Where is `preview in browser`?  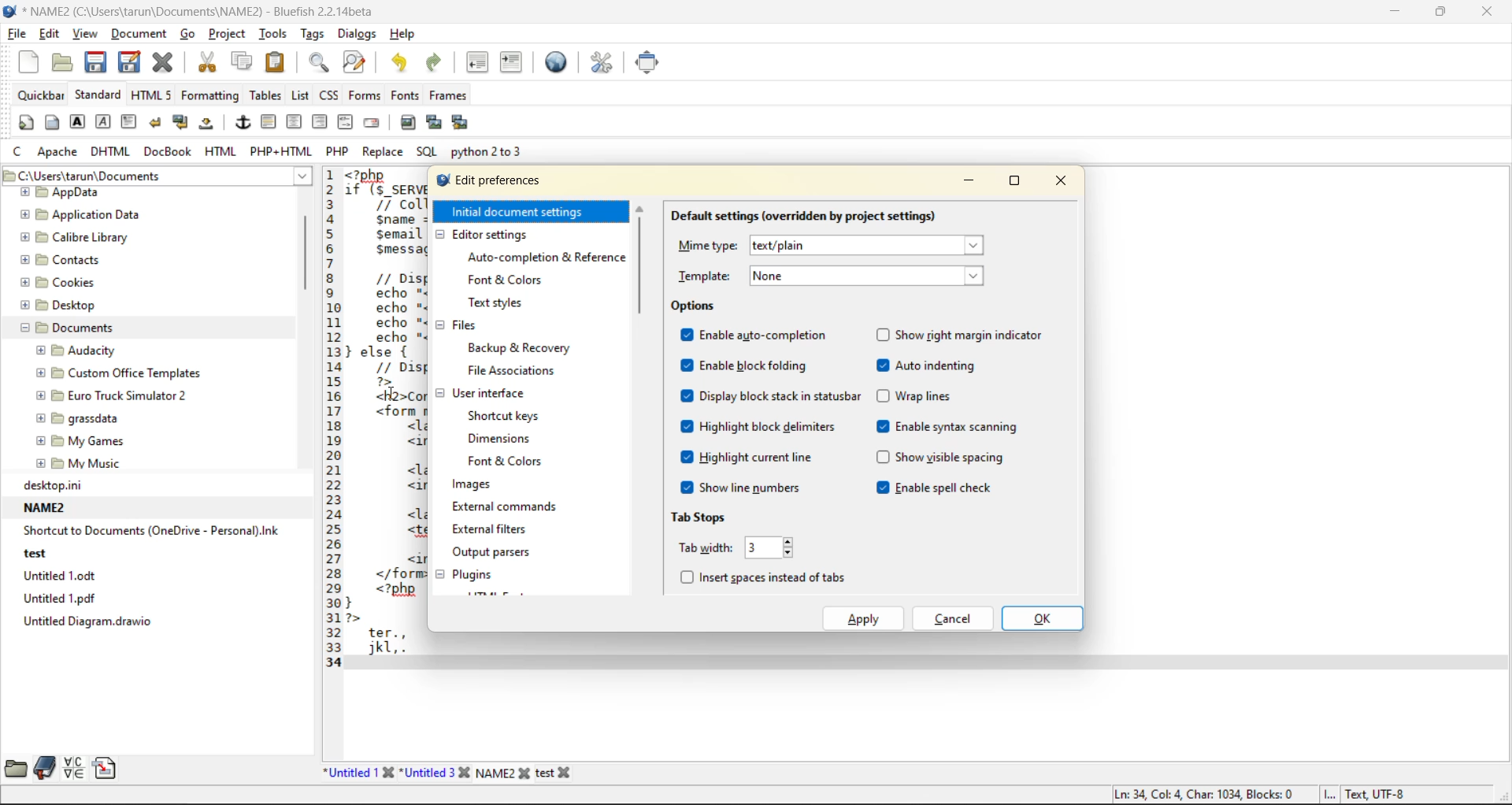 preview in browser is located at coordinates (558, 61).